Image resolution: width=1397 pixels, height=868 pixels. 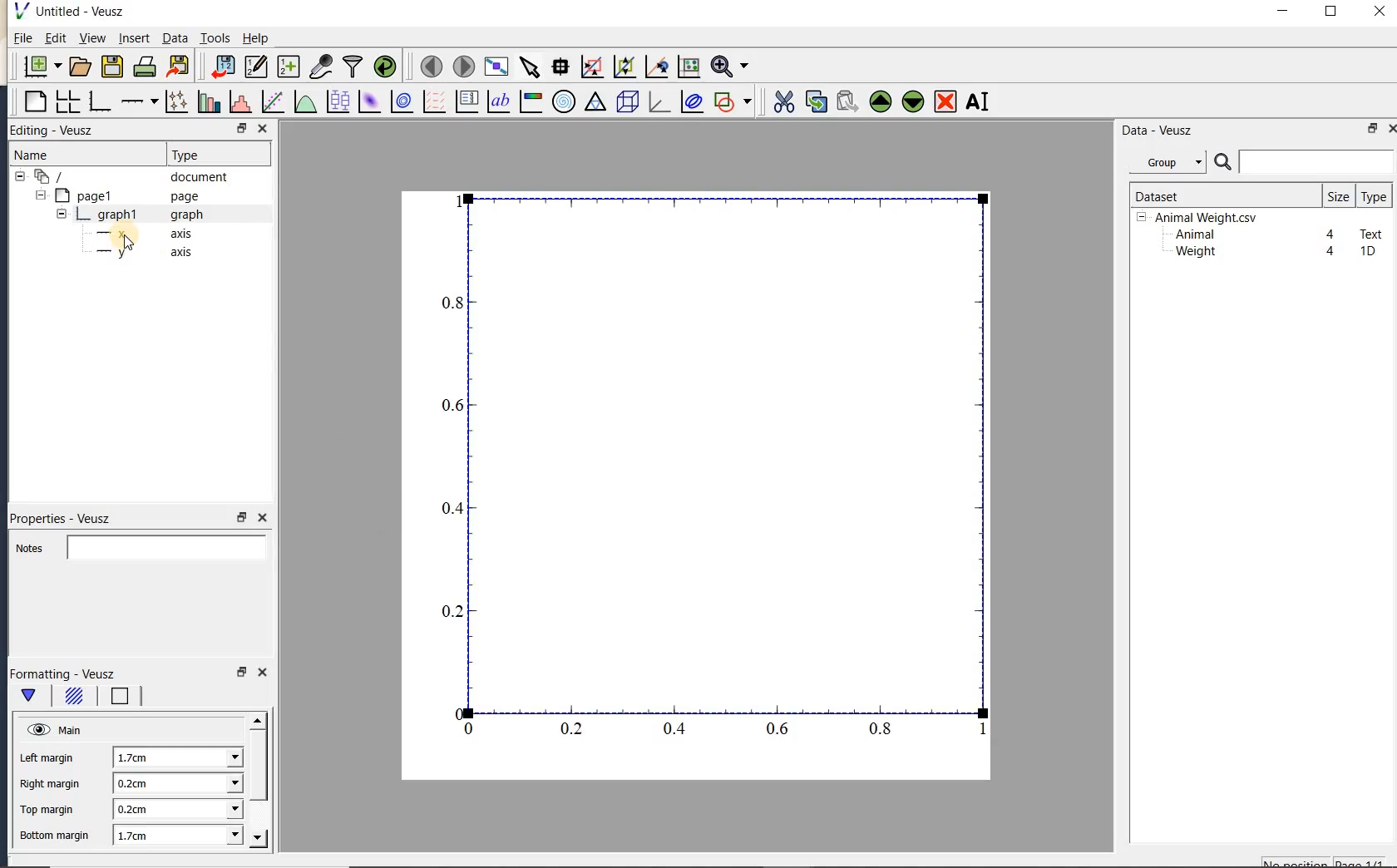 What do you see at coordinates (74, 12) in the screenshot?
I see `Untitled-Veusz` at bounding box center [74, 12].